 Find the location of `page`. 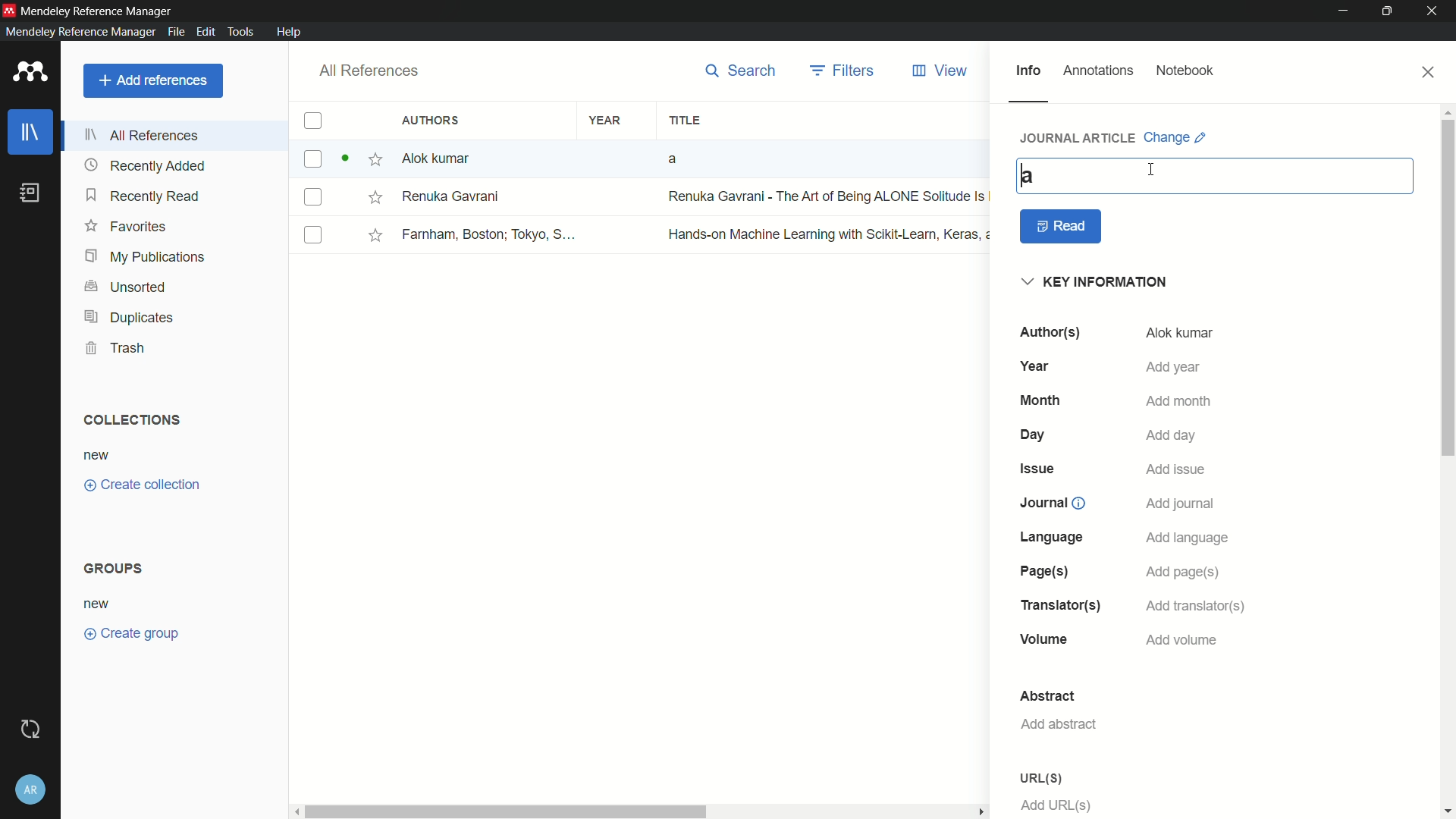

page is located at coordinates (1041, 572).